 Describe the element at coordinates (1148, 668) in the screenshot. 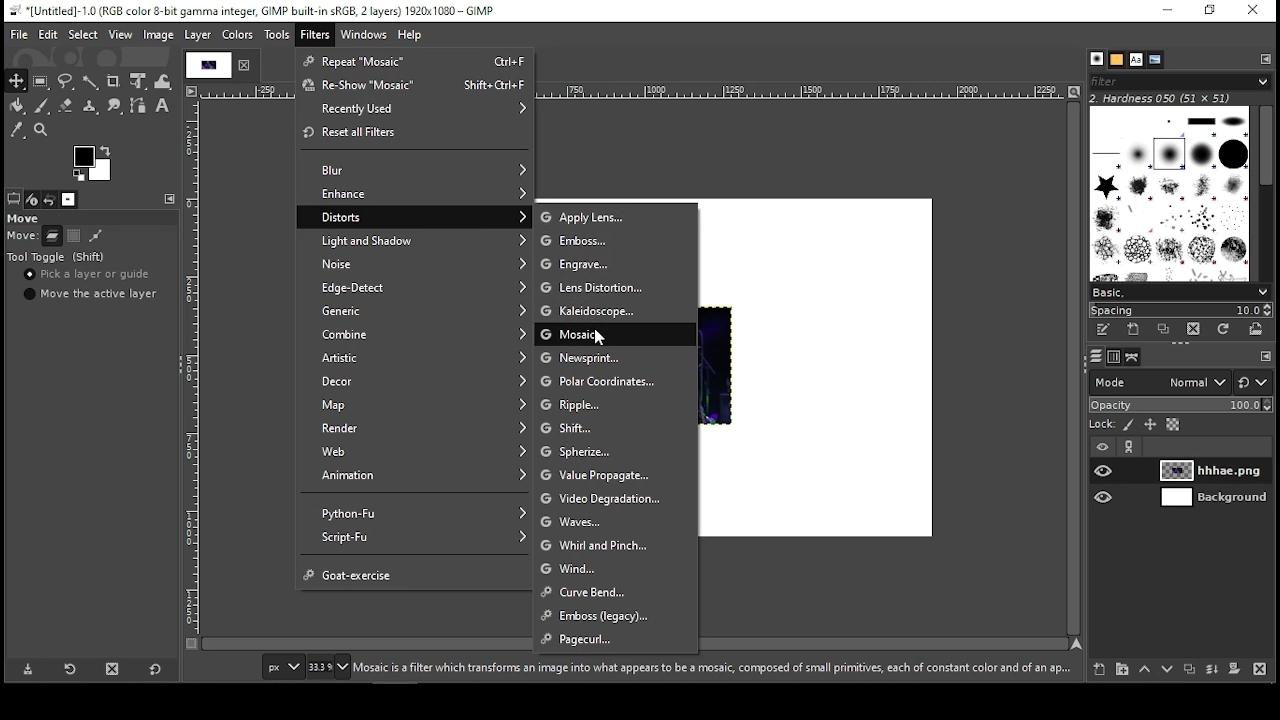

I see `move layer on step up` at that location.